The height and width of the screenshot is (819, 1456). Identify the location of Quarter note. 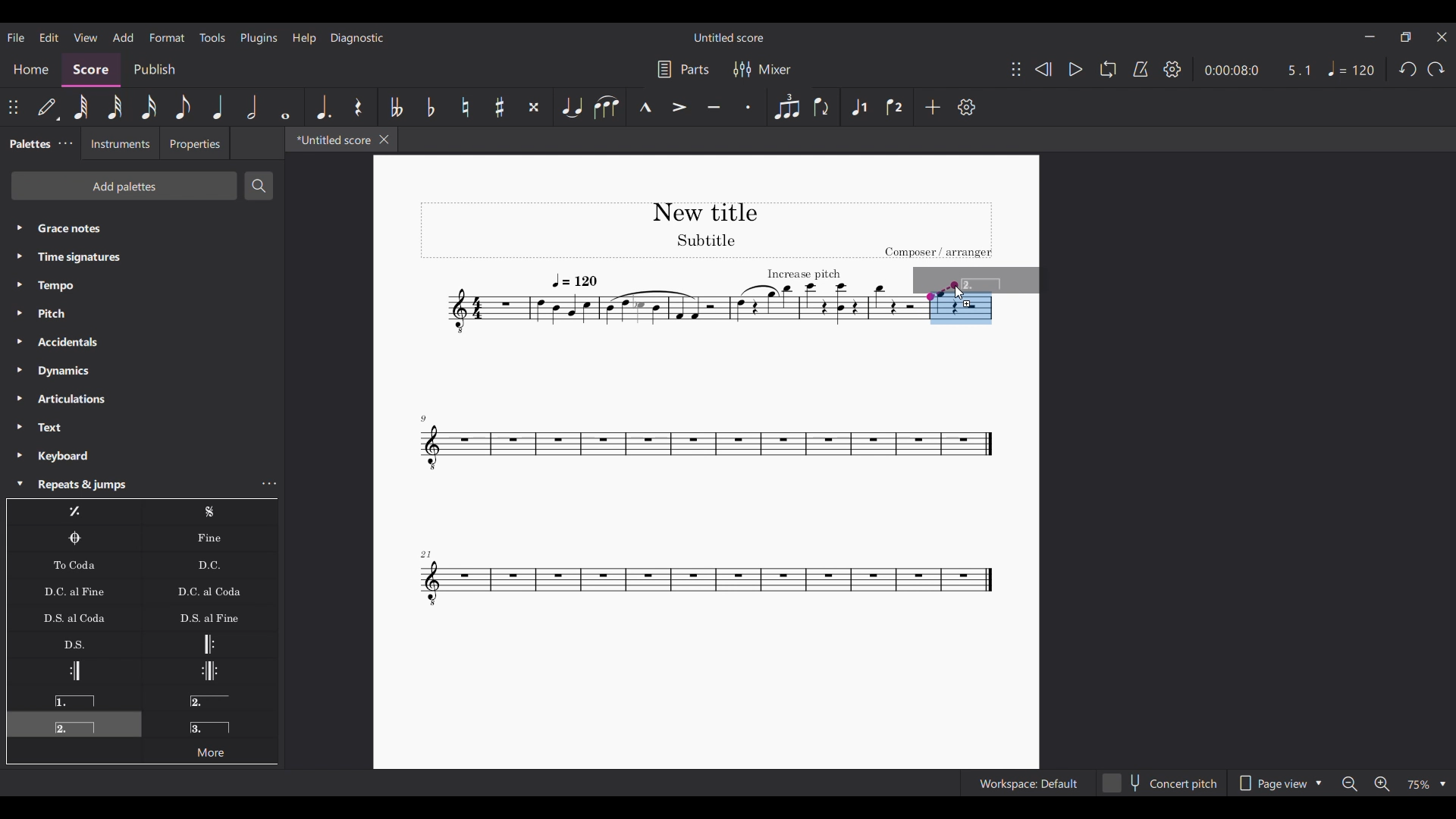
(218, 107).